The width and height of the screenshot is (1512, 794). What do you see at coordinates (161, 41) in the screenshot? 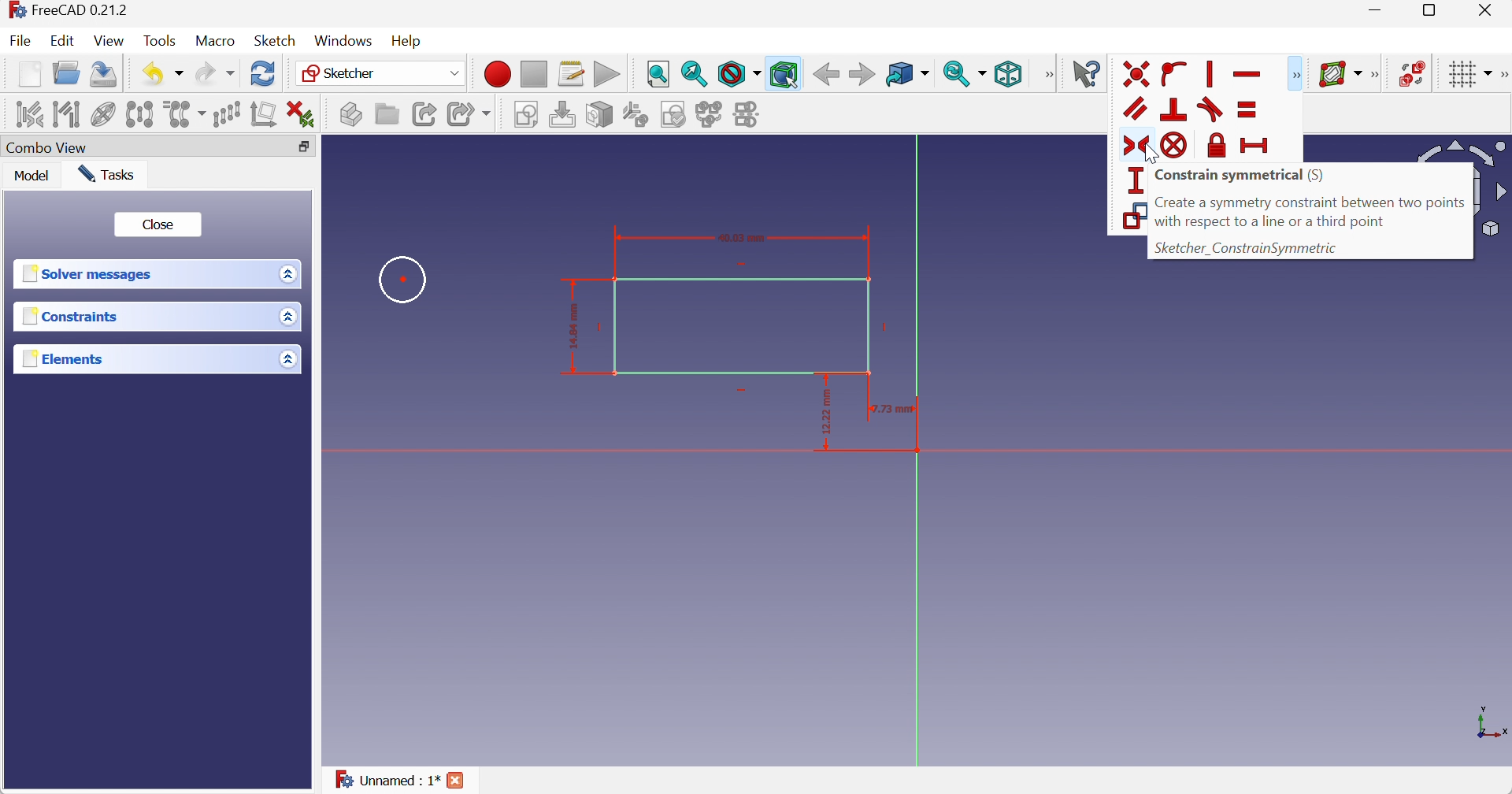
I see `Tools` at bounding box center [161, 41].